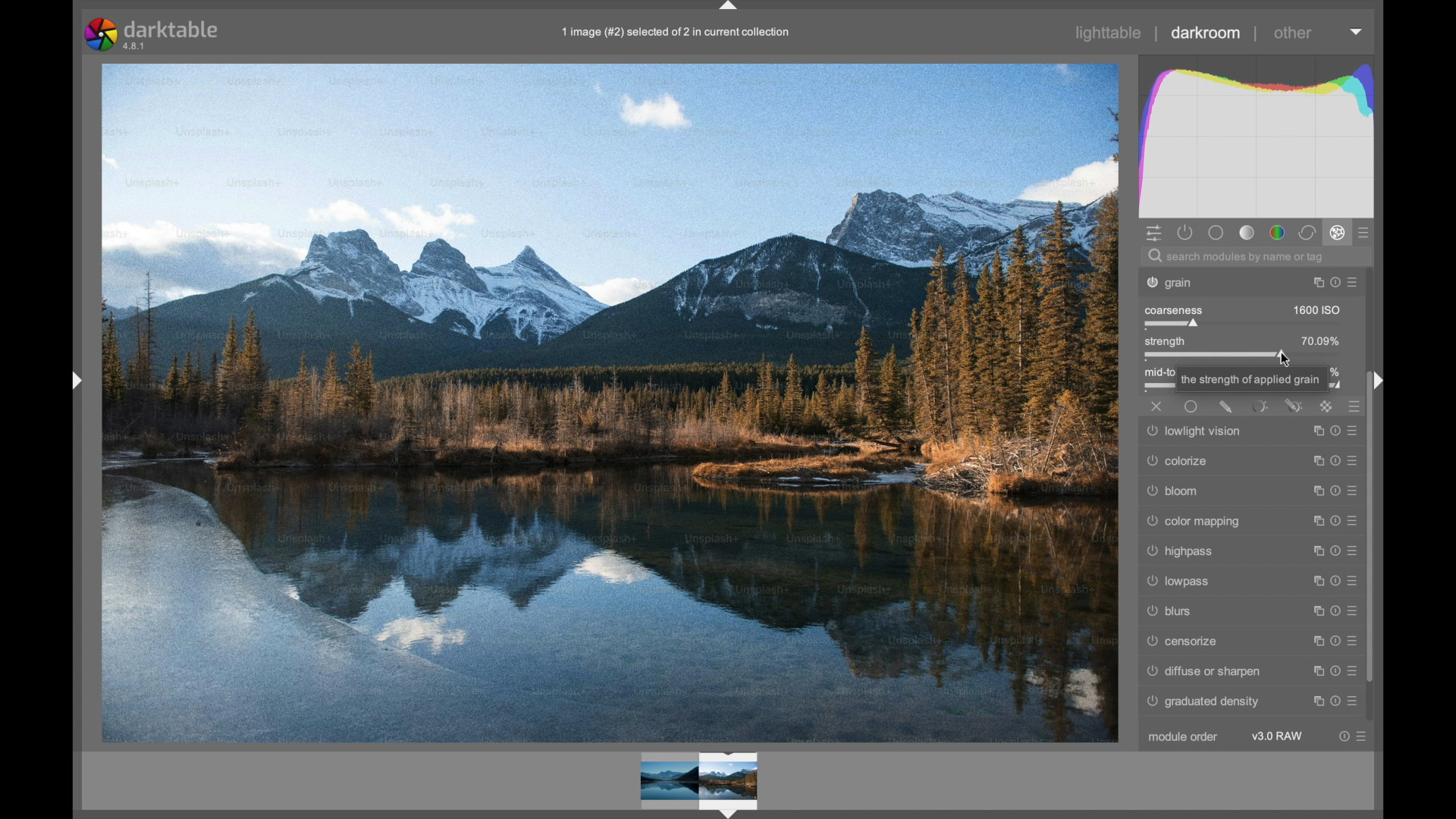  I want to click on grain, so click(1186, 282).